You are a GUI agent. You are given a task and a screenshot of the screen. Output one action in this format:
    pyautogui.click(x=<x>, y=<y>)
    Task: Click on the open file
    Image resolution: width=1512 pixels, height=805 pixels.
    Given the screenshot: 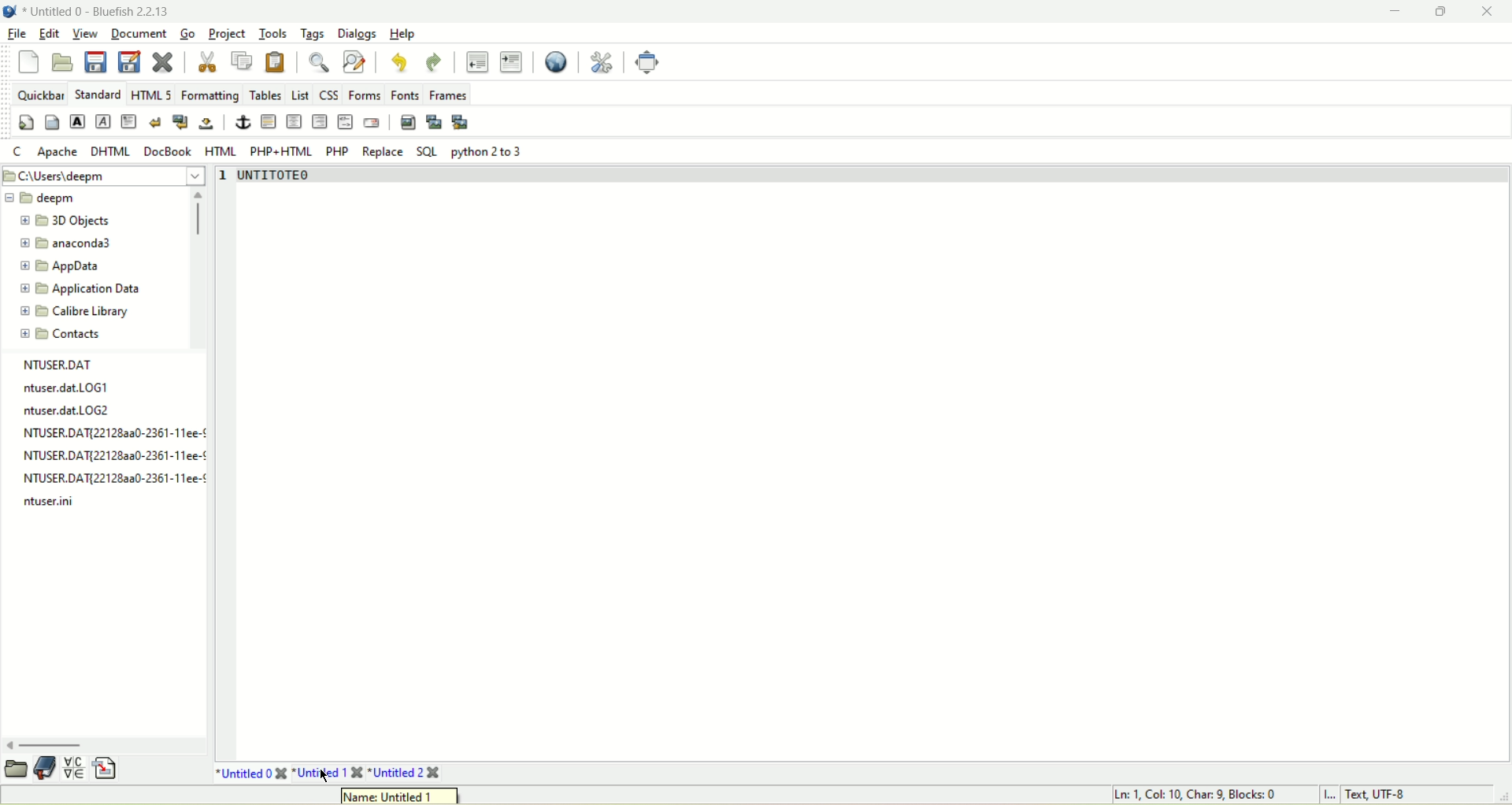 What is the action you would take?
    pyautogui.click(x=61, y=61)
    